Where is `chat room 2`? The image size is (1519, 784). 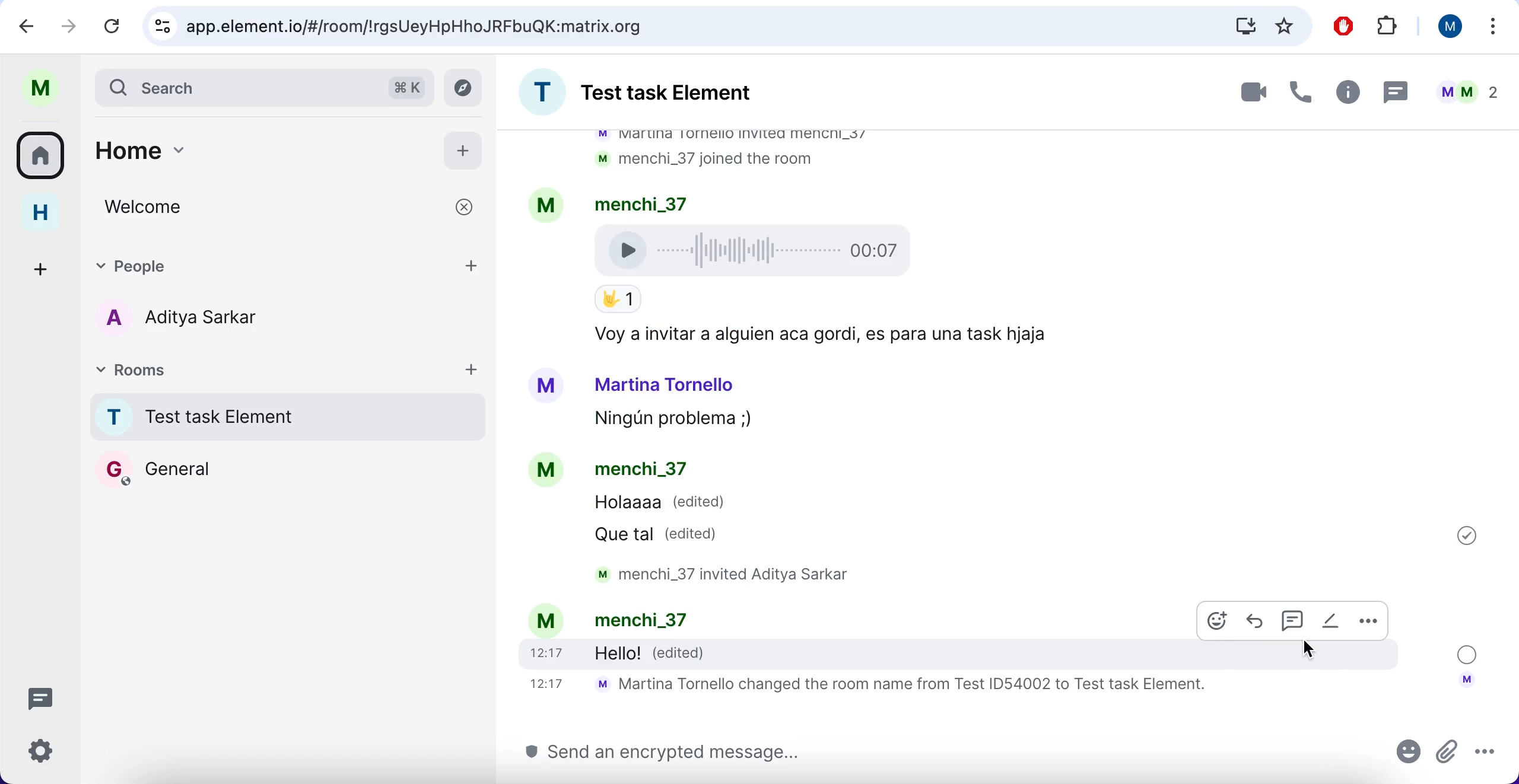 chat room 2 is located at coordinates (201, 470).